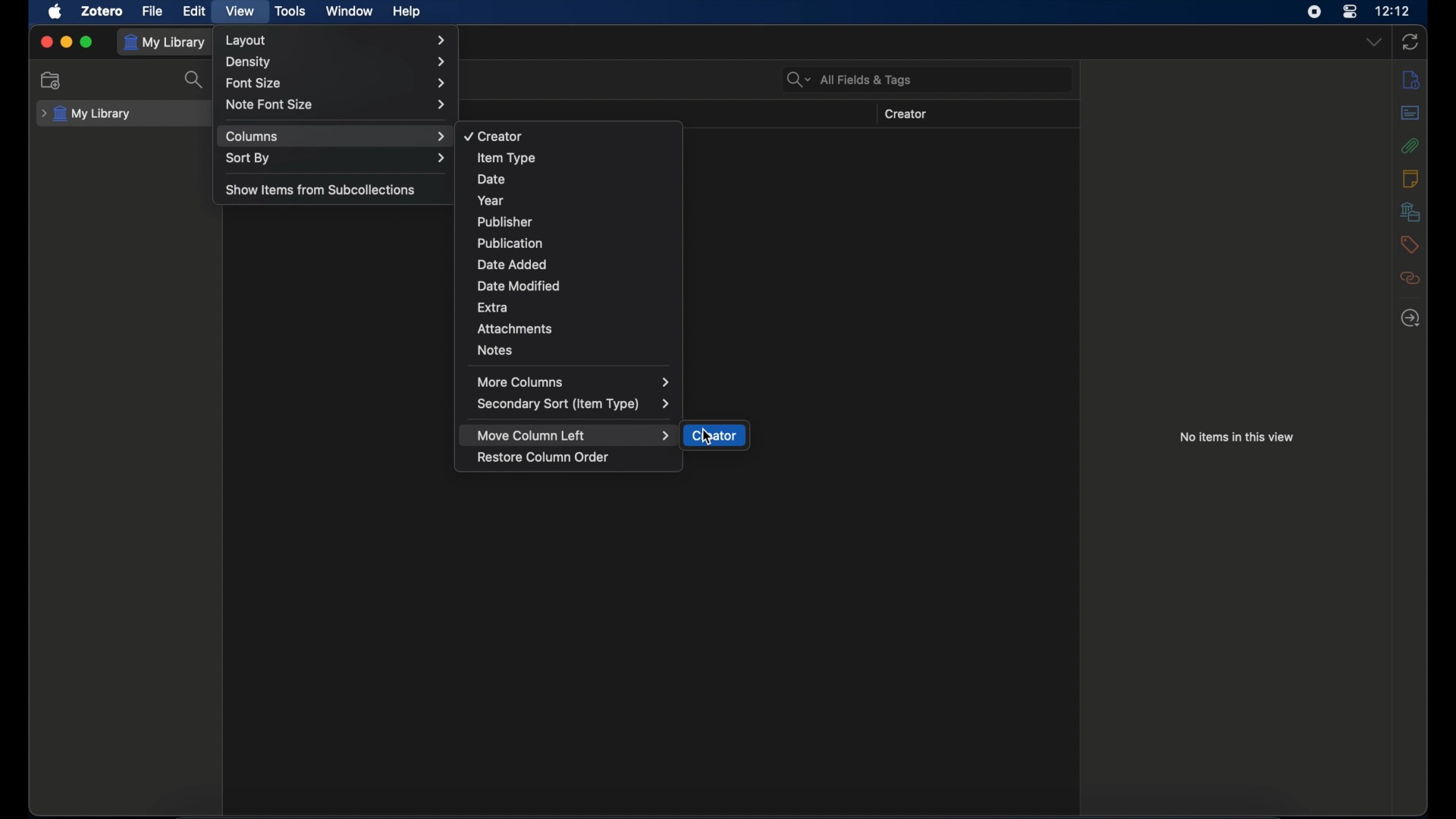  What do you see at coordinates (194, 80) in the screenshot?
I see `search` at bounding box center [194, 80].